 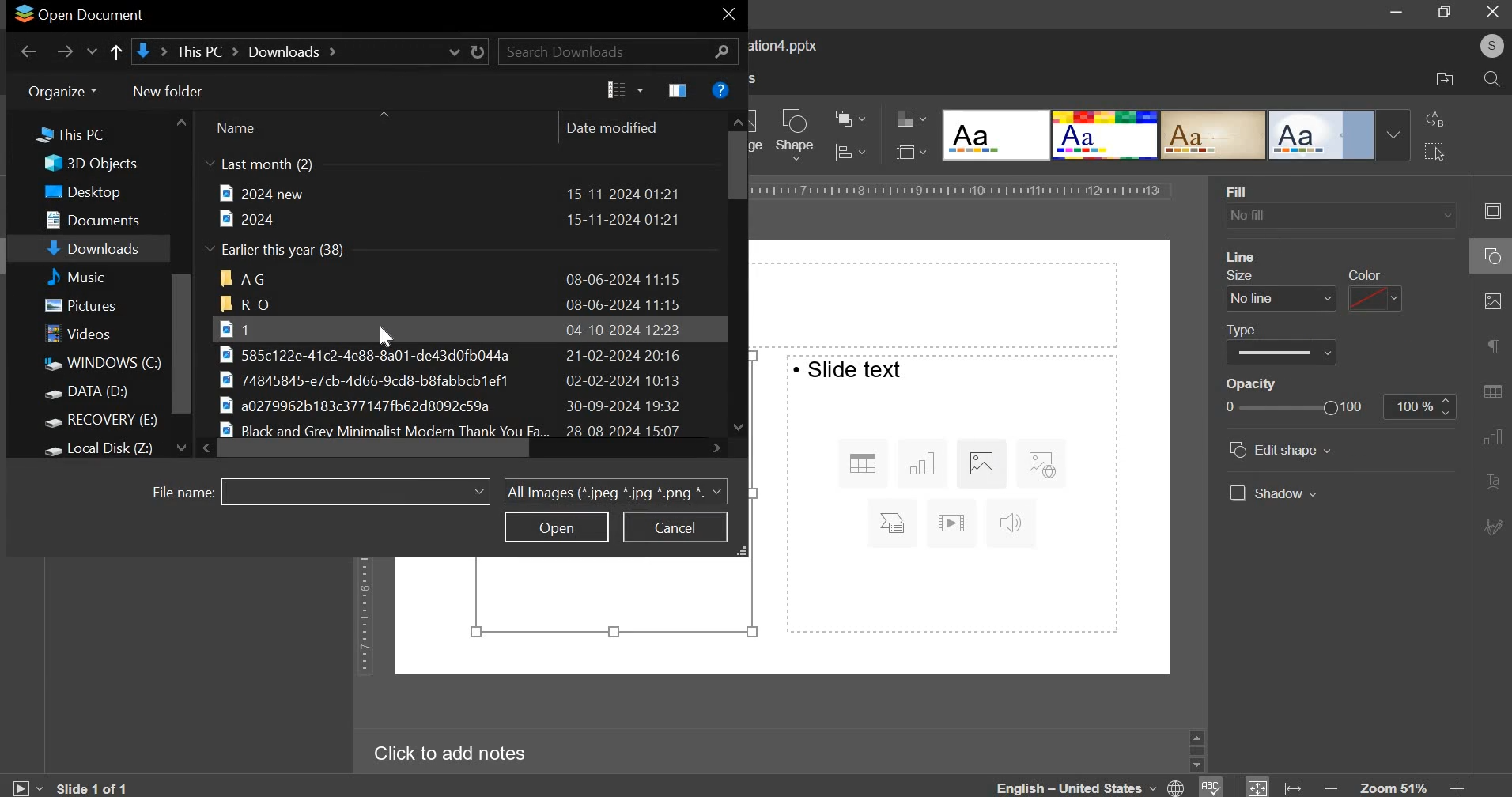 What do you see at coordinates (1491, 346) in the screenshot?
I see `paragraph settings` at bounding box center [1491, 346].